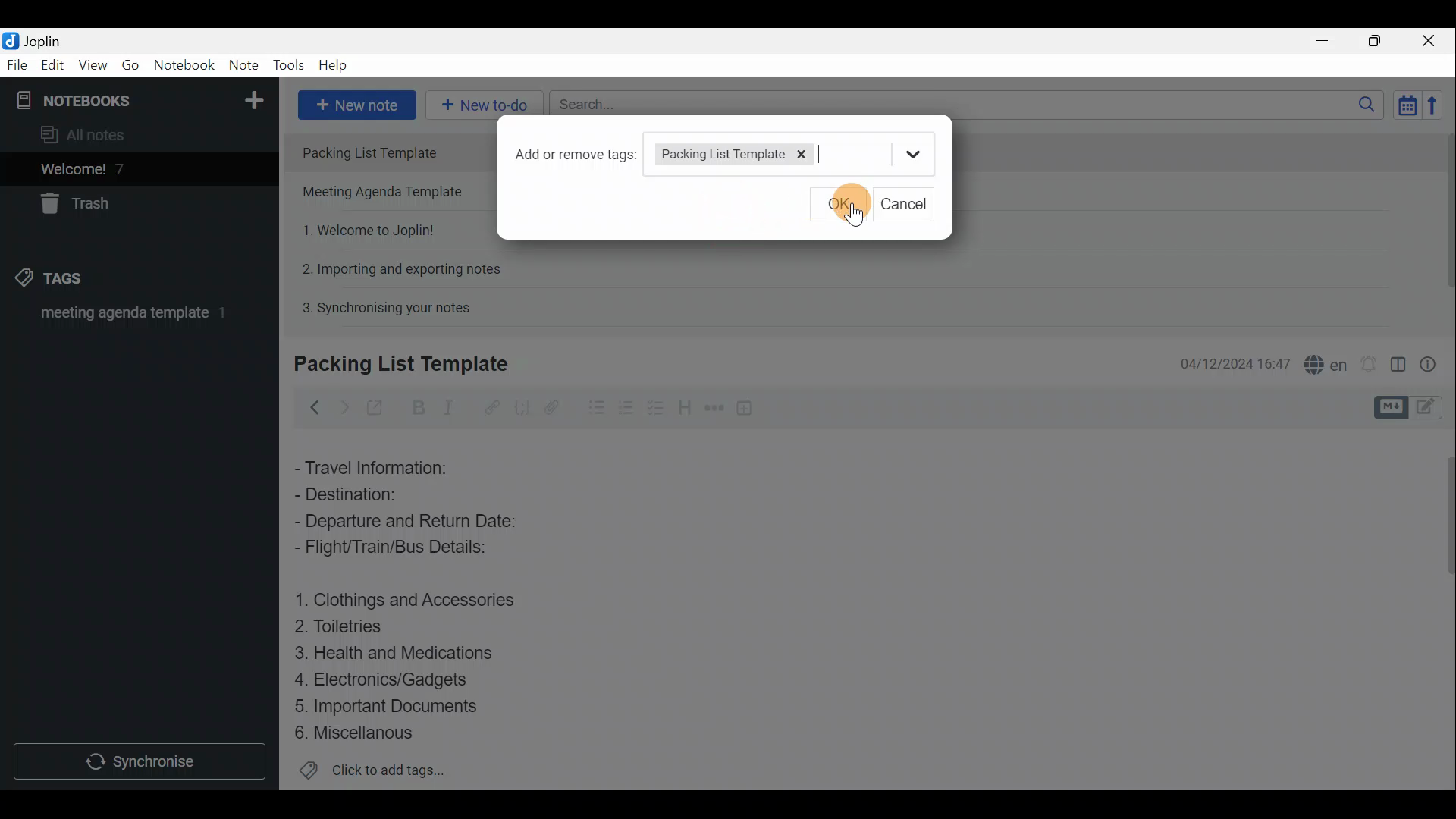 This screenshot has height=819, width=1456. I want to click on New note, so click(356, 103).